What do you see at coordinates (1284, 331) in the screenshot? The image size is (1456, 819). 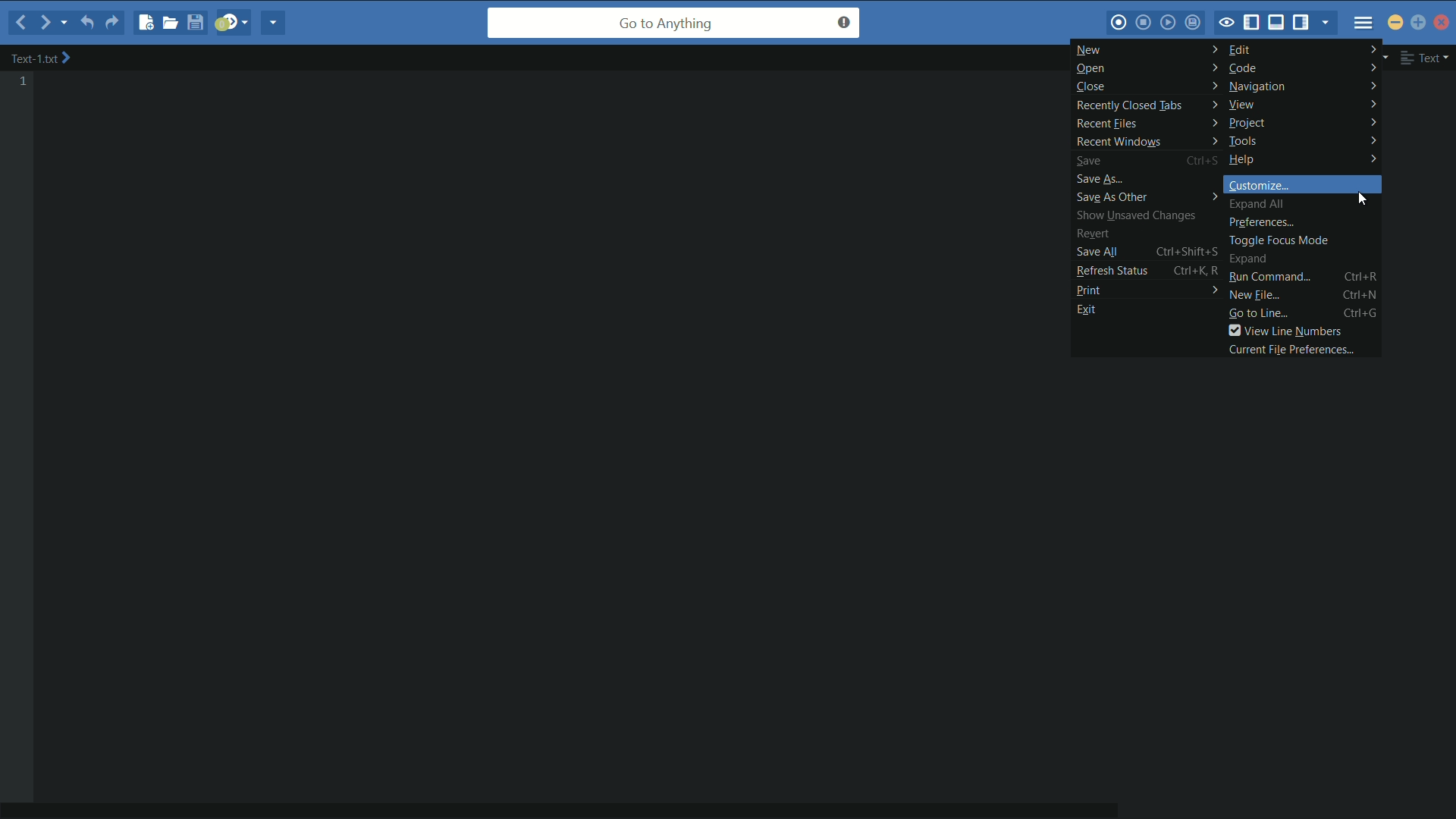 I see `view line numbers` at bounding box center [1284, 331].